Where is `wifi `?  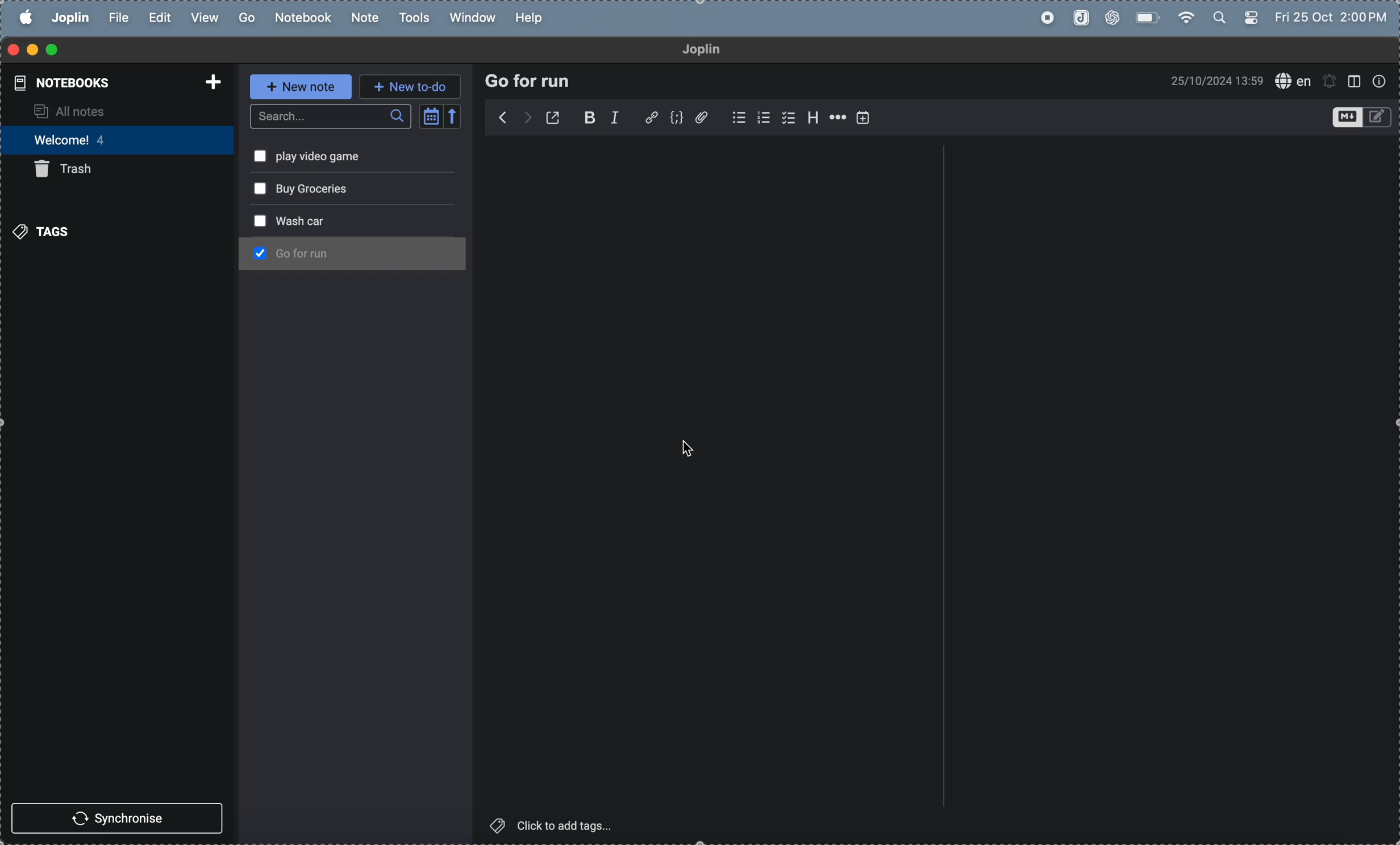
wifi  is located at coordinates (1189, 16).